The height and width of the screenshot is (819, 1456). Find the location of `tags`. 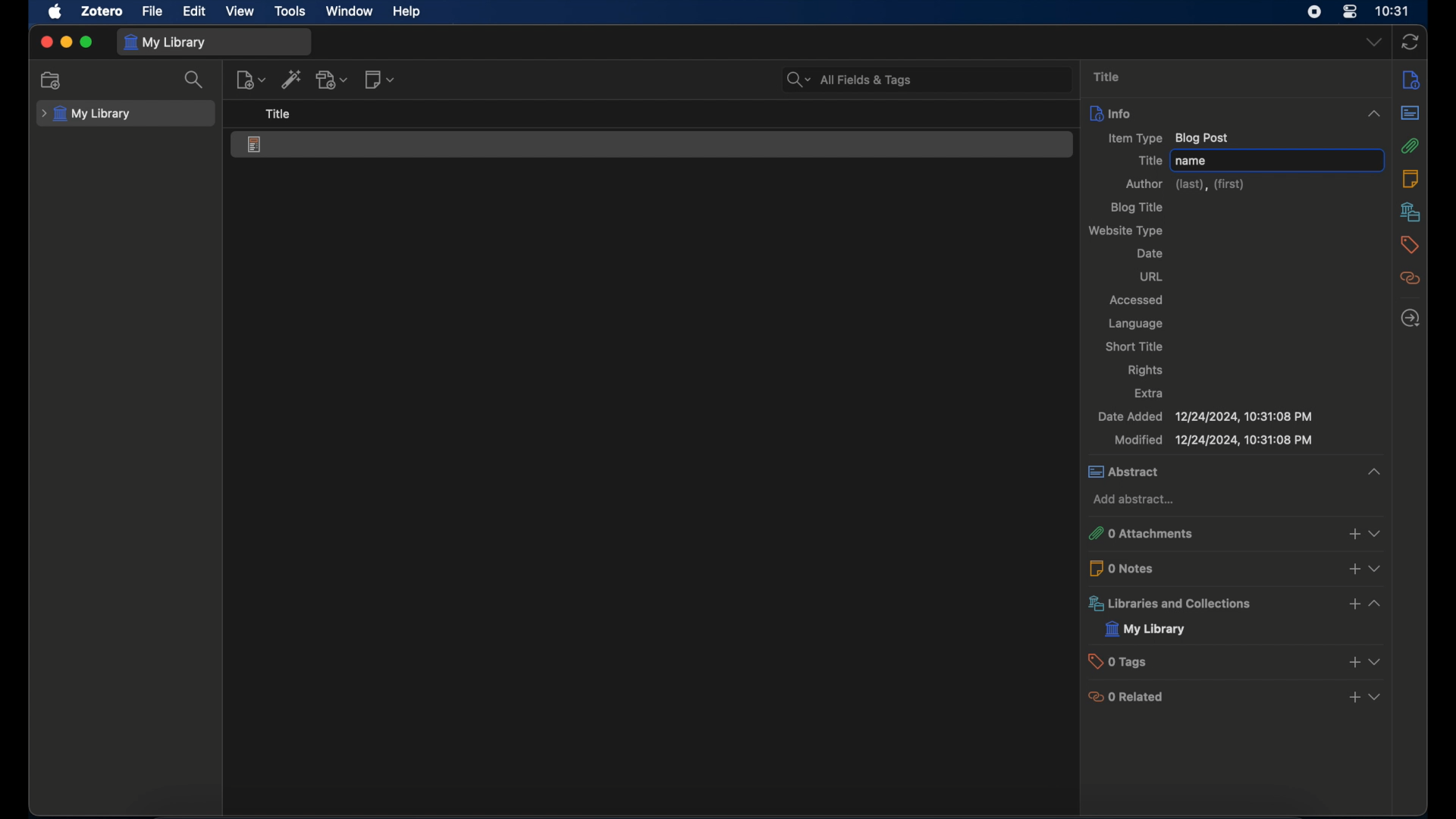

tags is located at coordinates (1410, 244).